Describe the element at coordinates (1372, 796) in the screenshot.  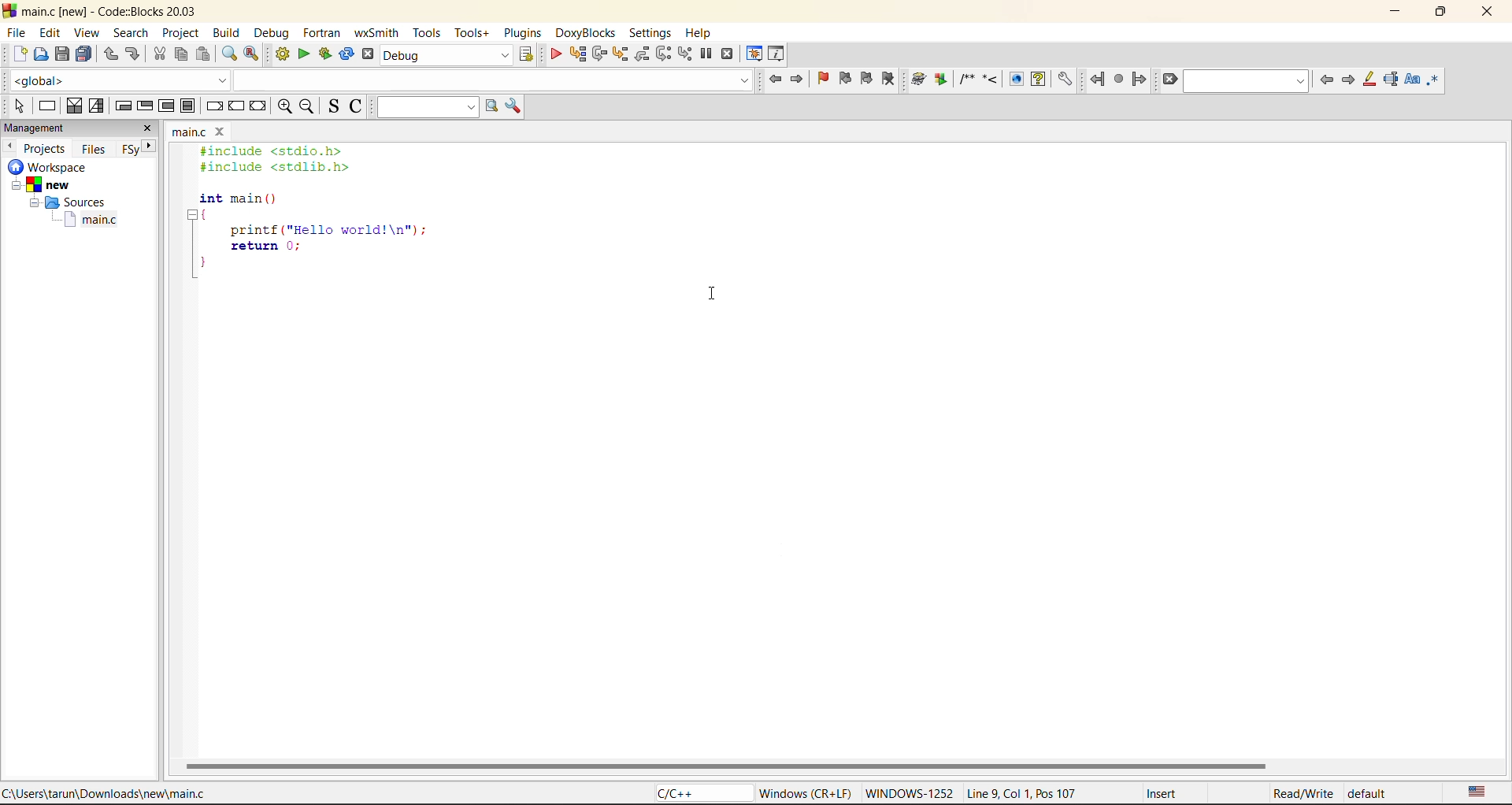
I see `default` at that location.